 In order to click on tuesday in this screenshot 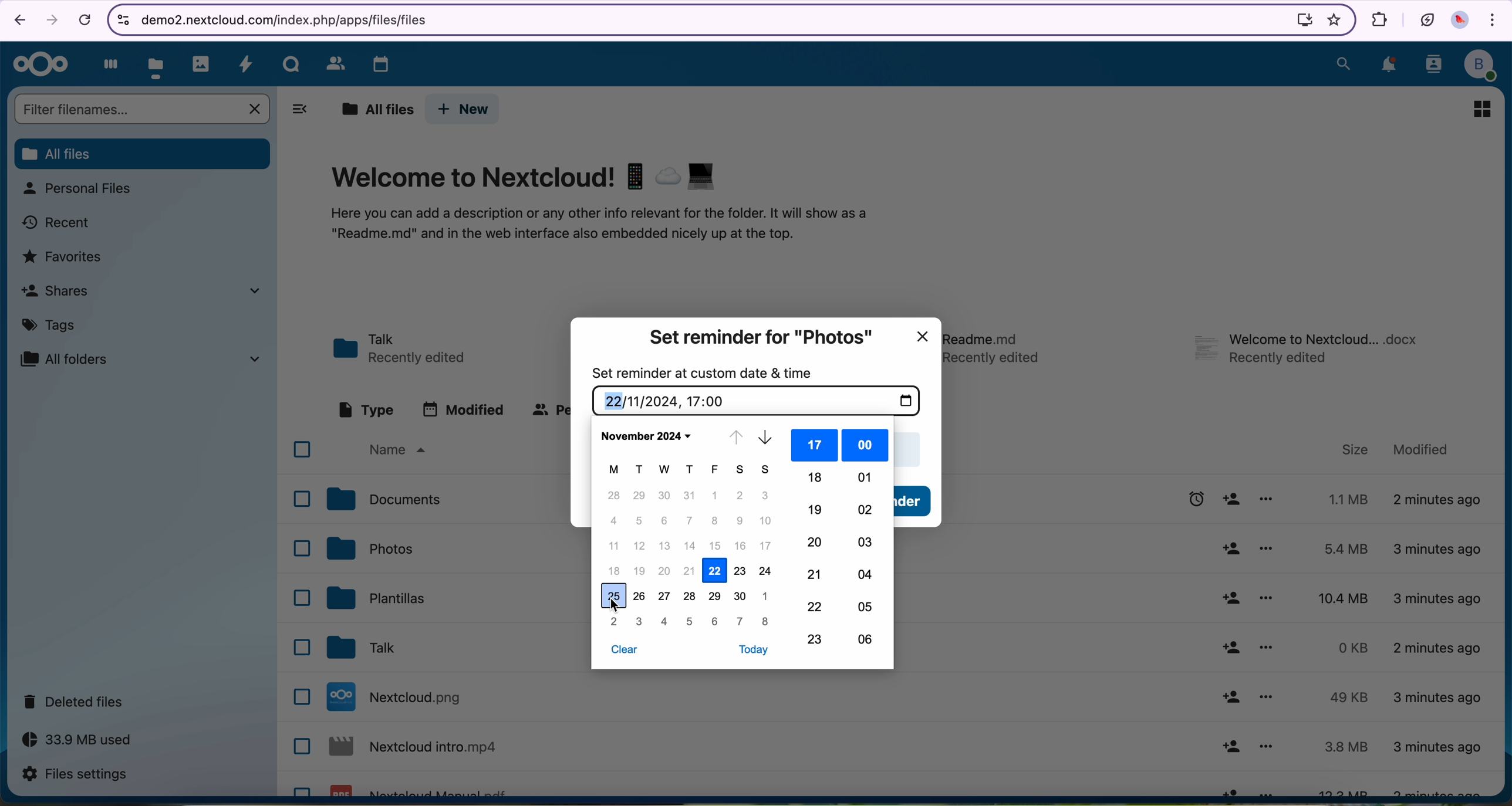, I will do `click(640, 470)`.